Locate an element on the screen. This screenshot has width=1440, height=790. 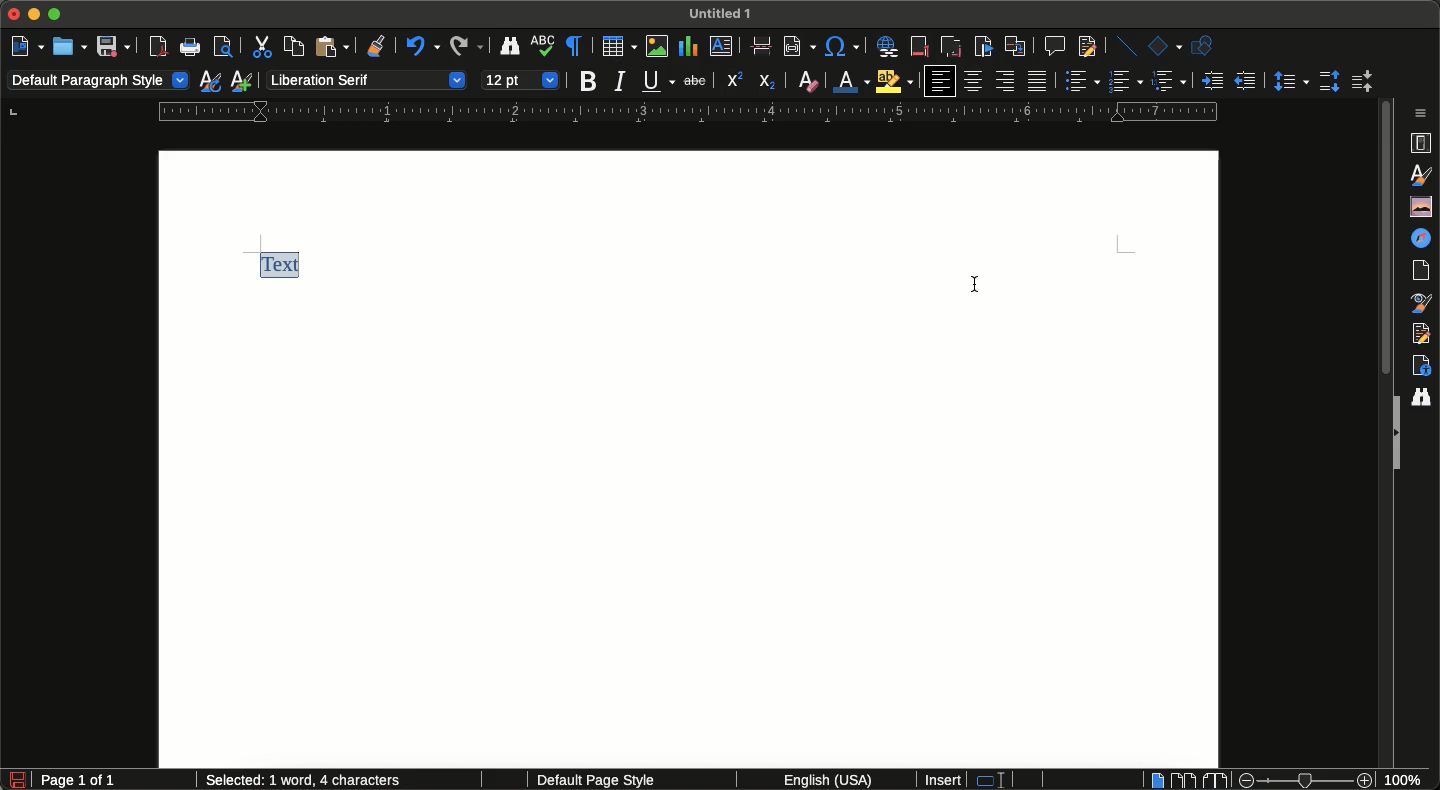
Insert hyperlink is located at coordinates (887, 46).